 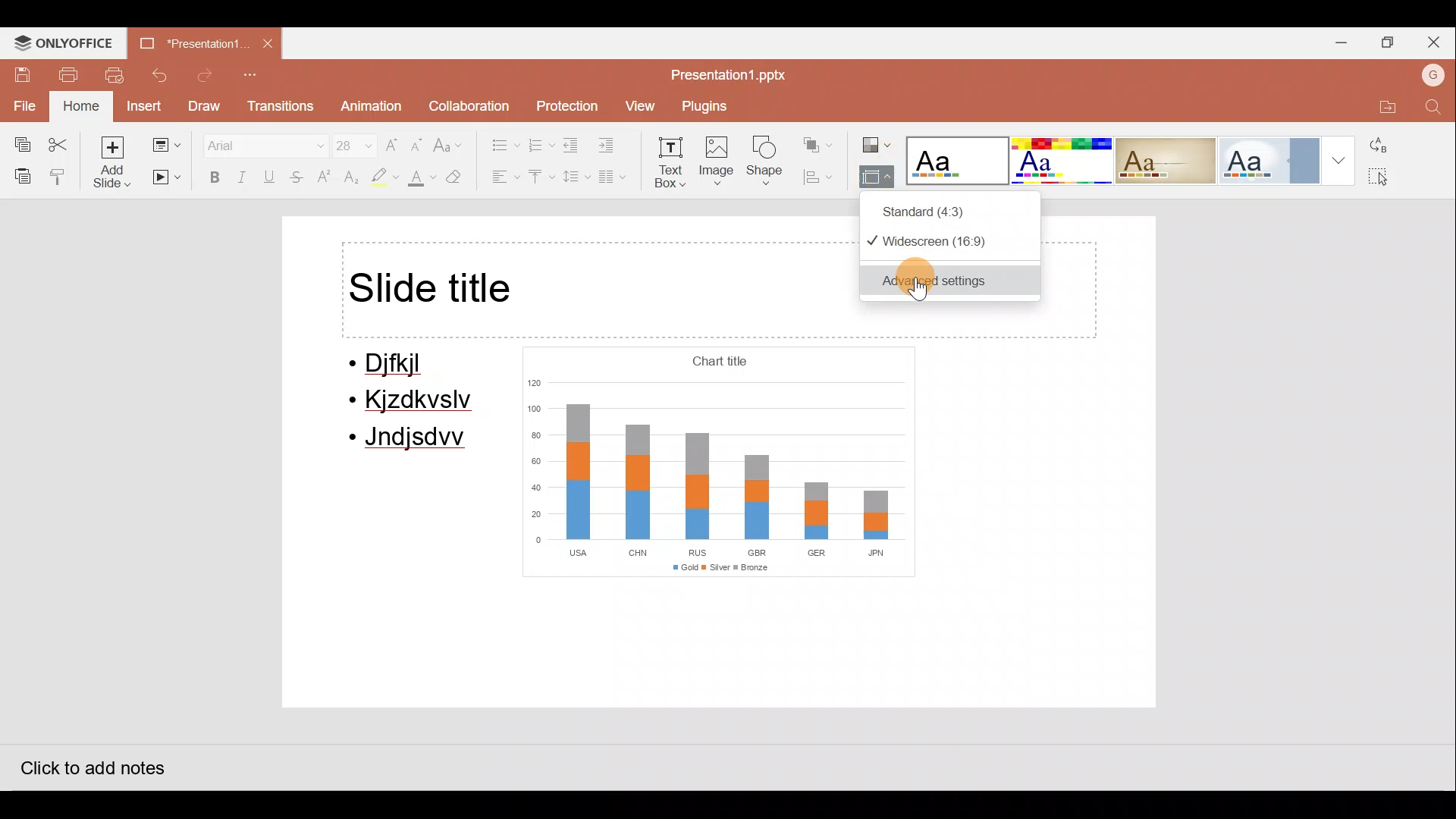 I want to click on File, so click(x=23, y=104).